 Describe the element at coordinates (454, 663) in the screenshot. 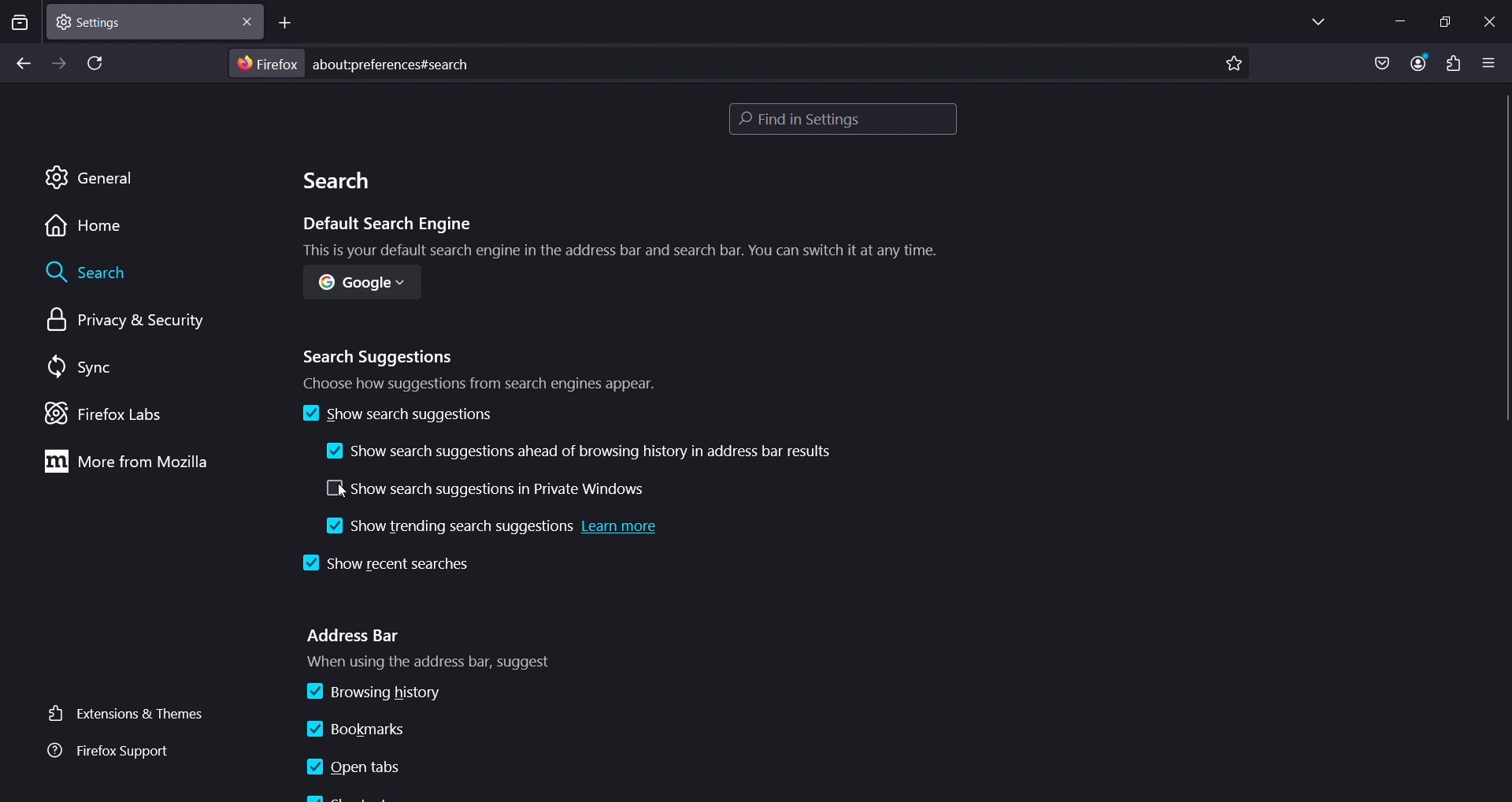

I see `when using address bar, suggest` at that location.